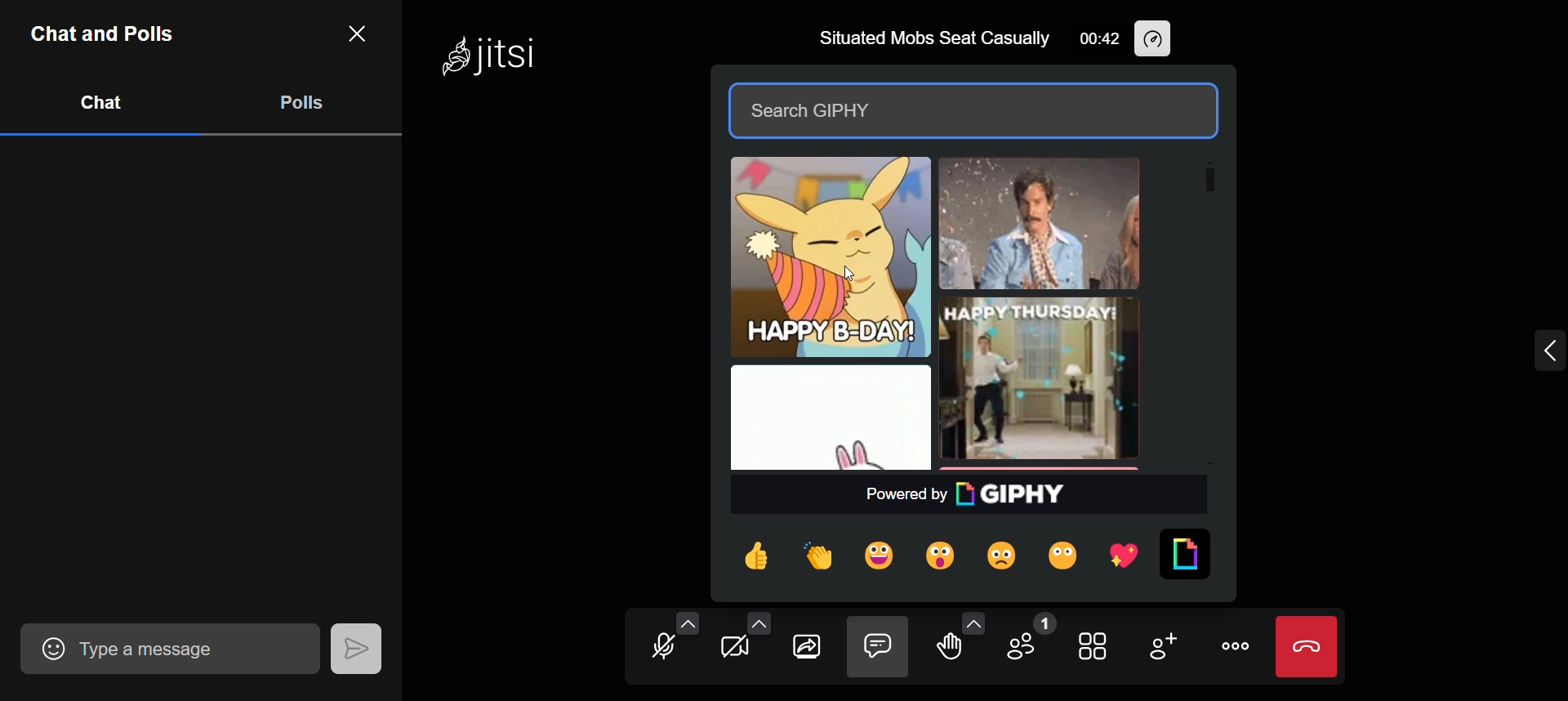  Describe the element at coordinates (971, 493) in the screenshot. I see `powered by Giphy text` at that location.